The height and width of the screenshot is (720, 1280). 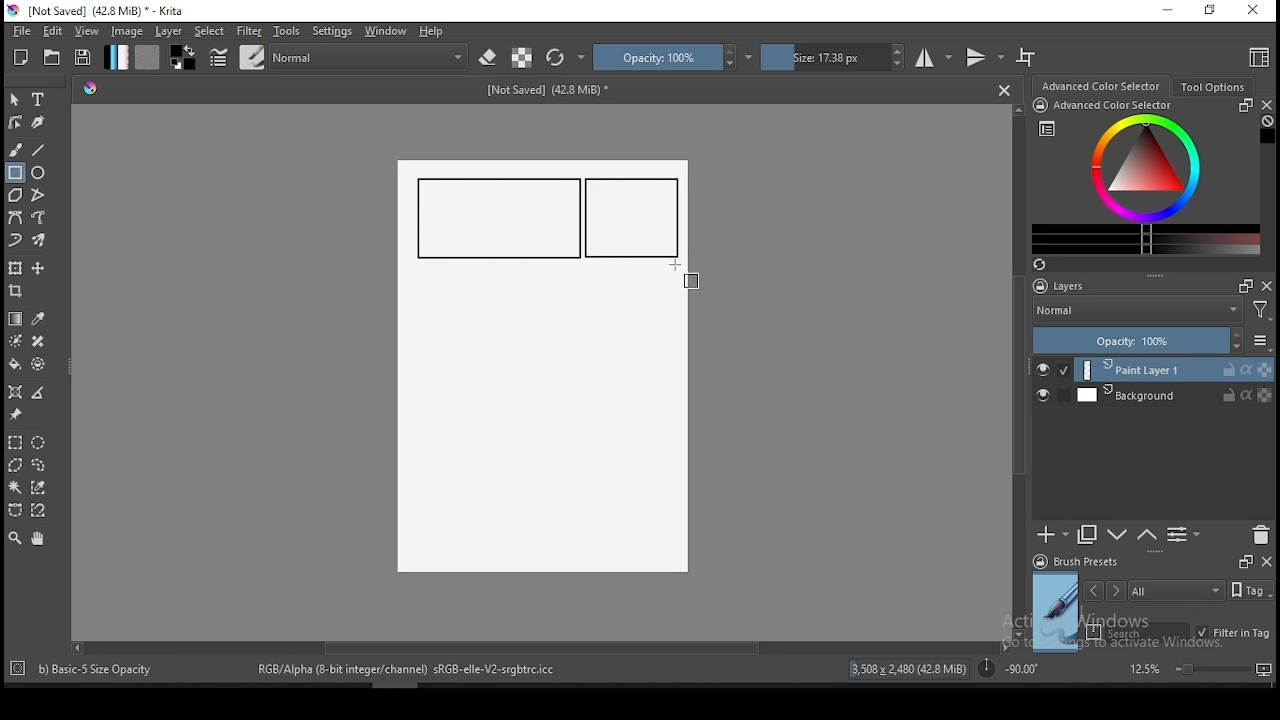 I want to click on colors, so click(x=183, y=57).